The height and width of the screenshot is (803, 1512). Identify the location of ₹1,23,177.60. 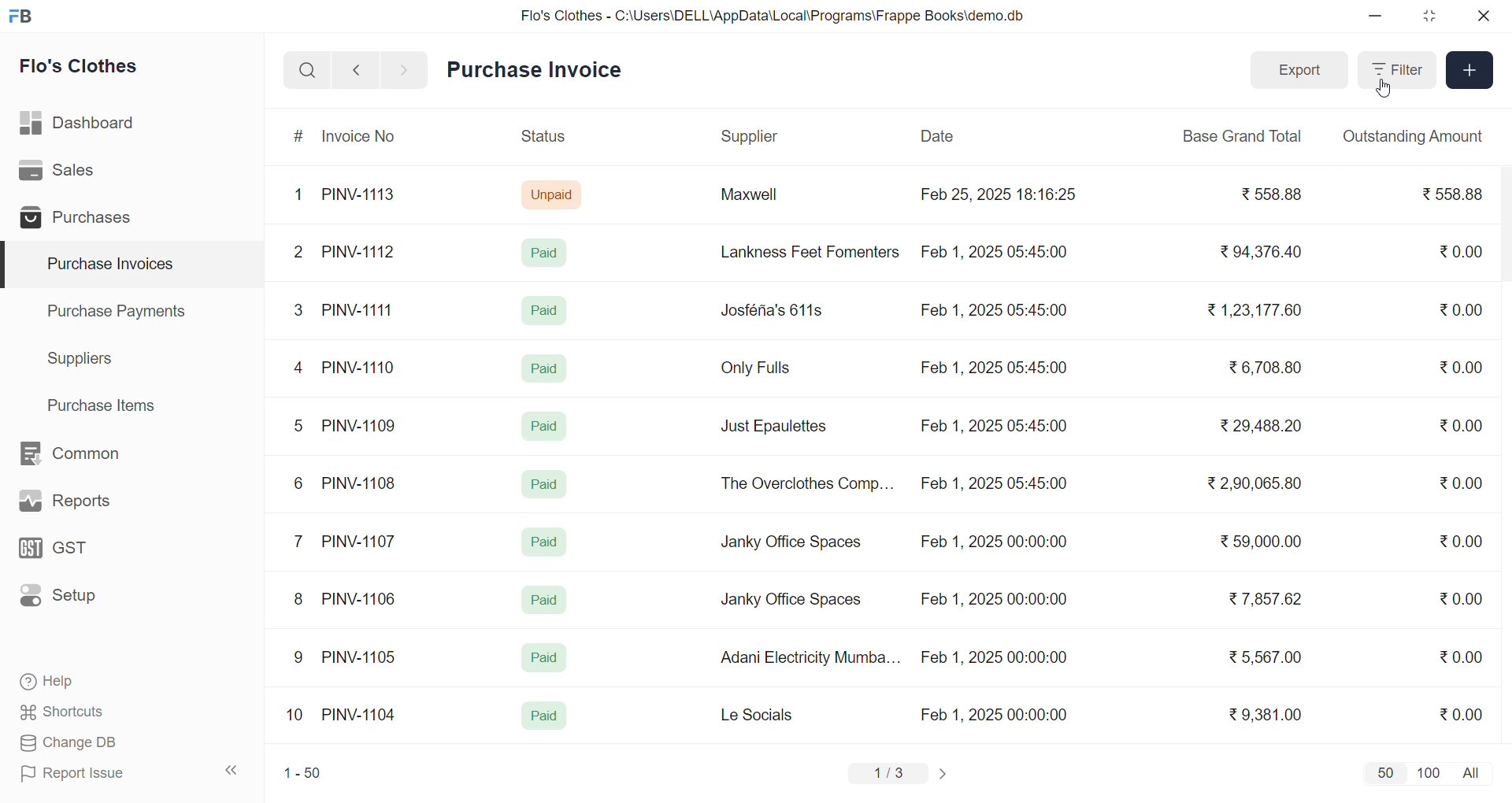
(1252, 309).